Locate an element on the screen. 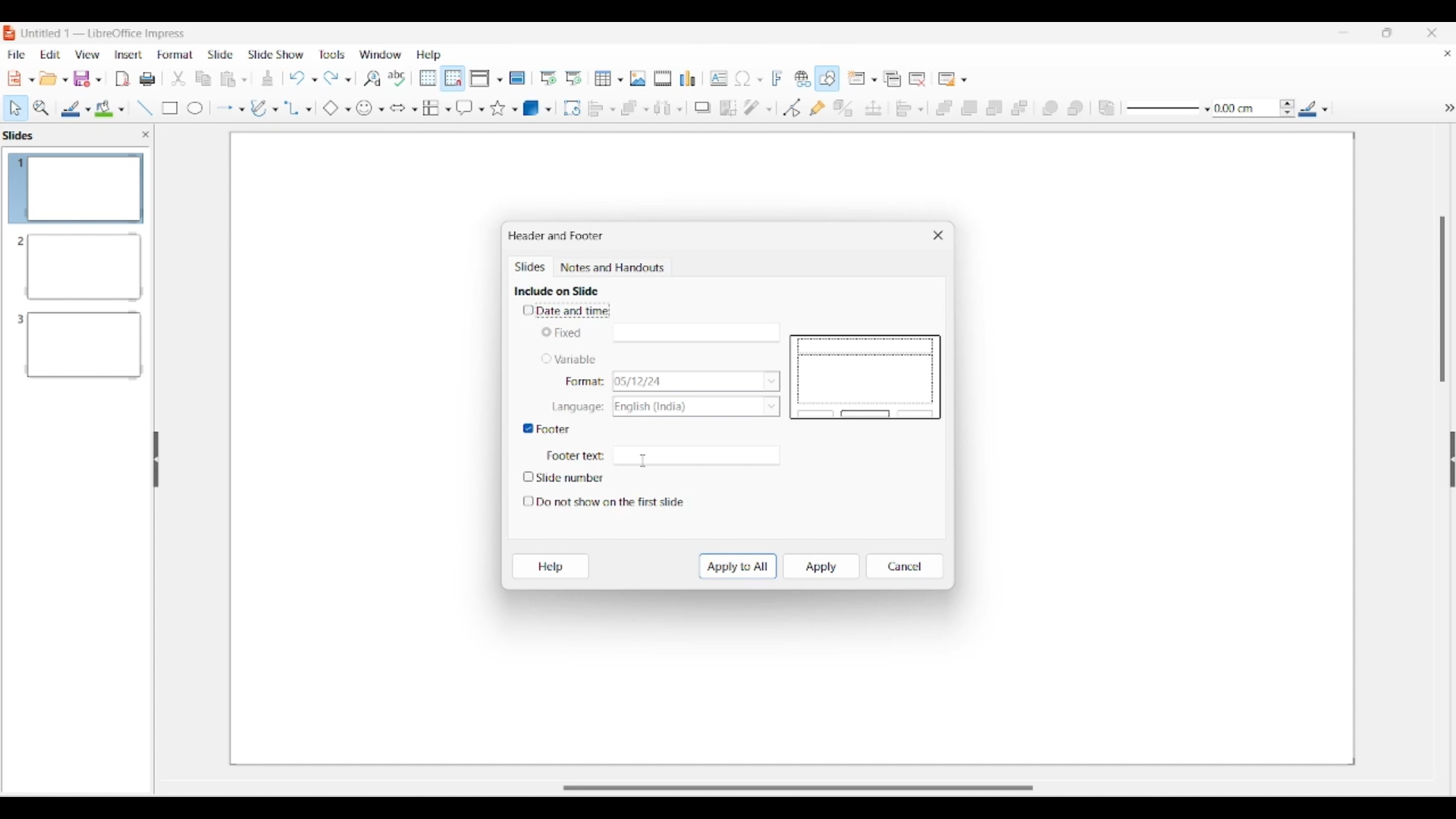 Image resolution: width=1456 pixels, height=819 pixels. Slide preview is located at coordinates (865, 378).